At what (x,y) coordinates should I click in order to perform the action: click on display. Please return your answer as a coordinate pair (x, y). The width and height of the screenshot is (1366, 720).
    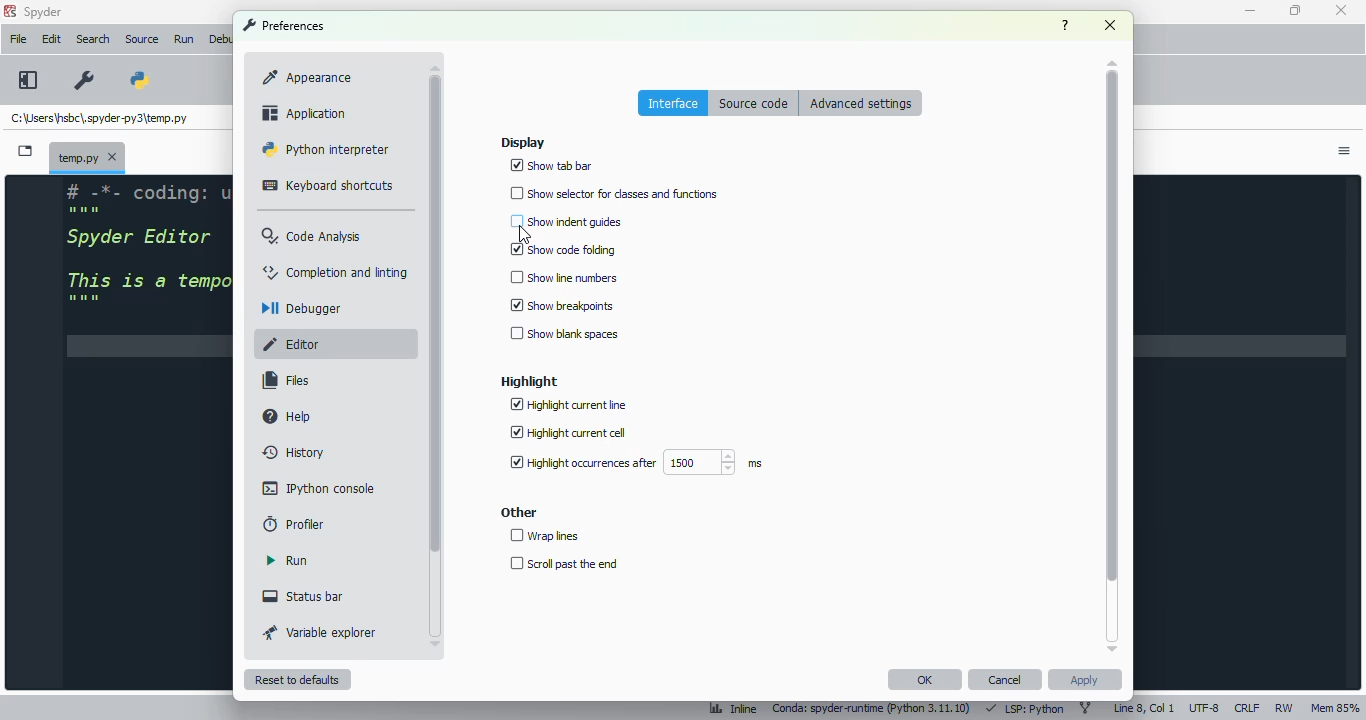
    Looking at the image, I should click on (525, 143).